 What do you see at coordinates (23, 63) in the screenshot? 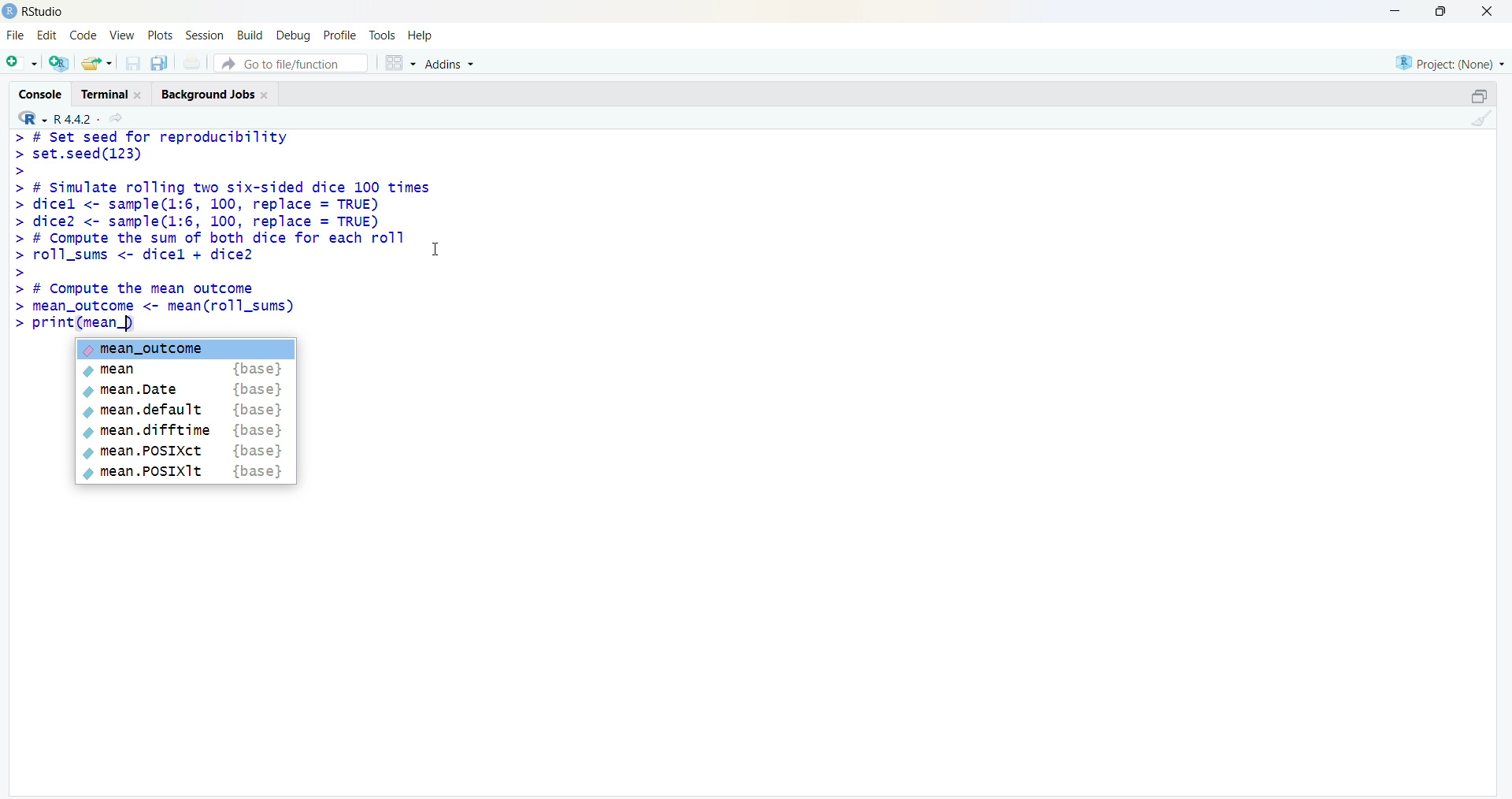
I see `add file as` at bounding box center [23, 63].